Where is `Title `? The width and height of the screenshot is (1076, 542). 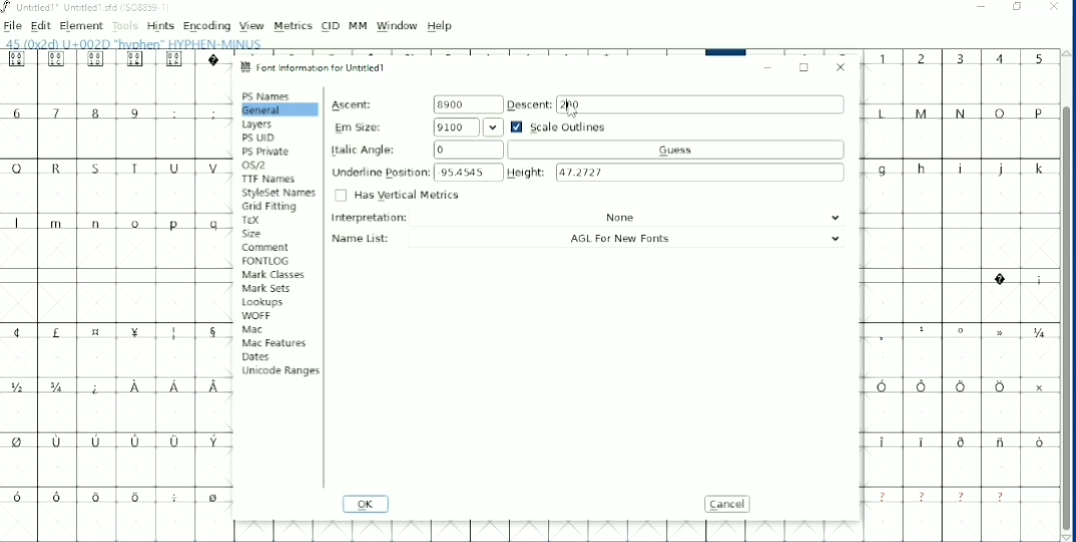
Title  is located at coordinates (89, 8).